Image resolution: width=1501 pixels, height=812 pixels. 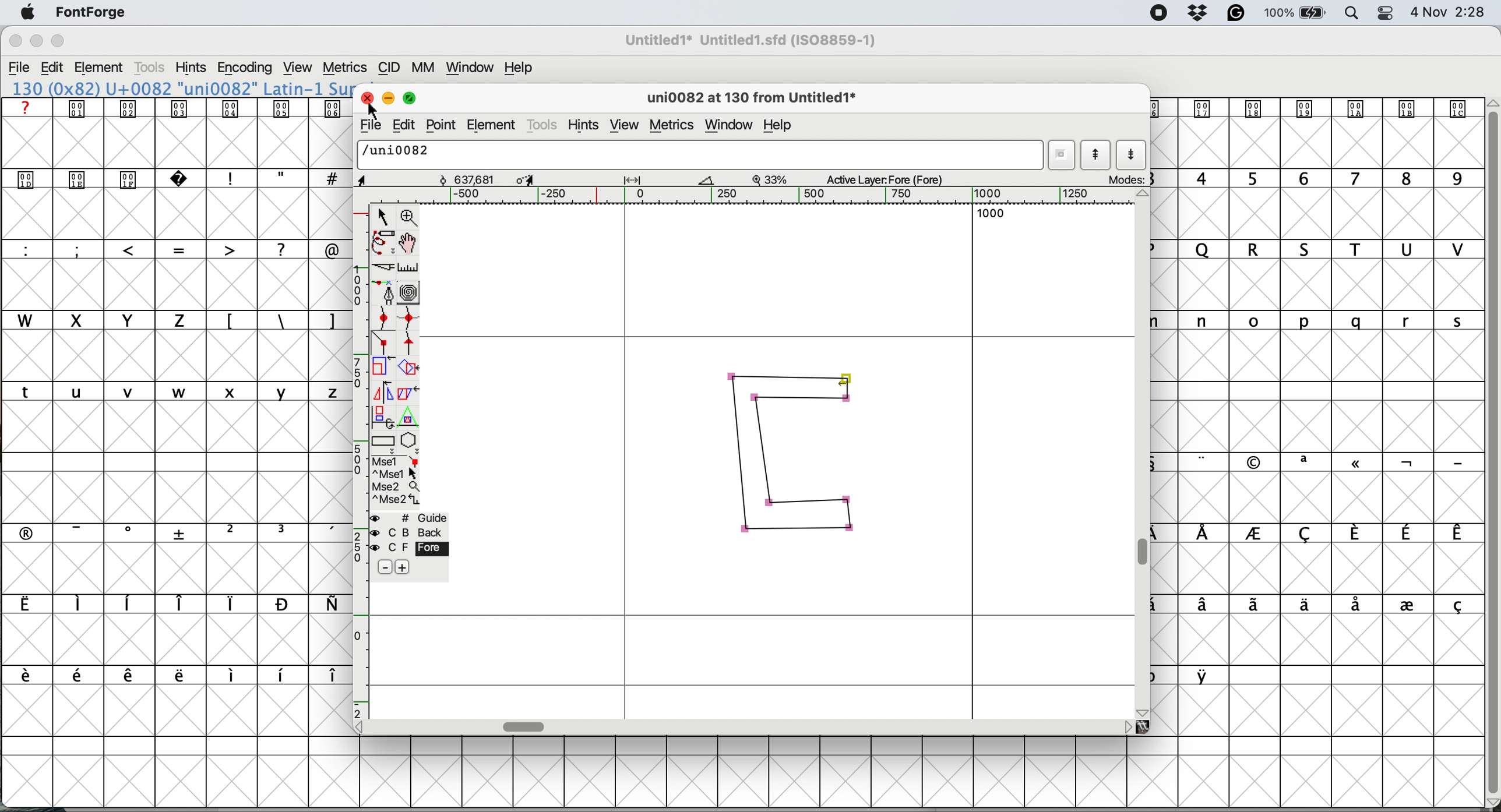 I want to click on vertical scale, so click(x=362, y=460).